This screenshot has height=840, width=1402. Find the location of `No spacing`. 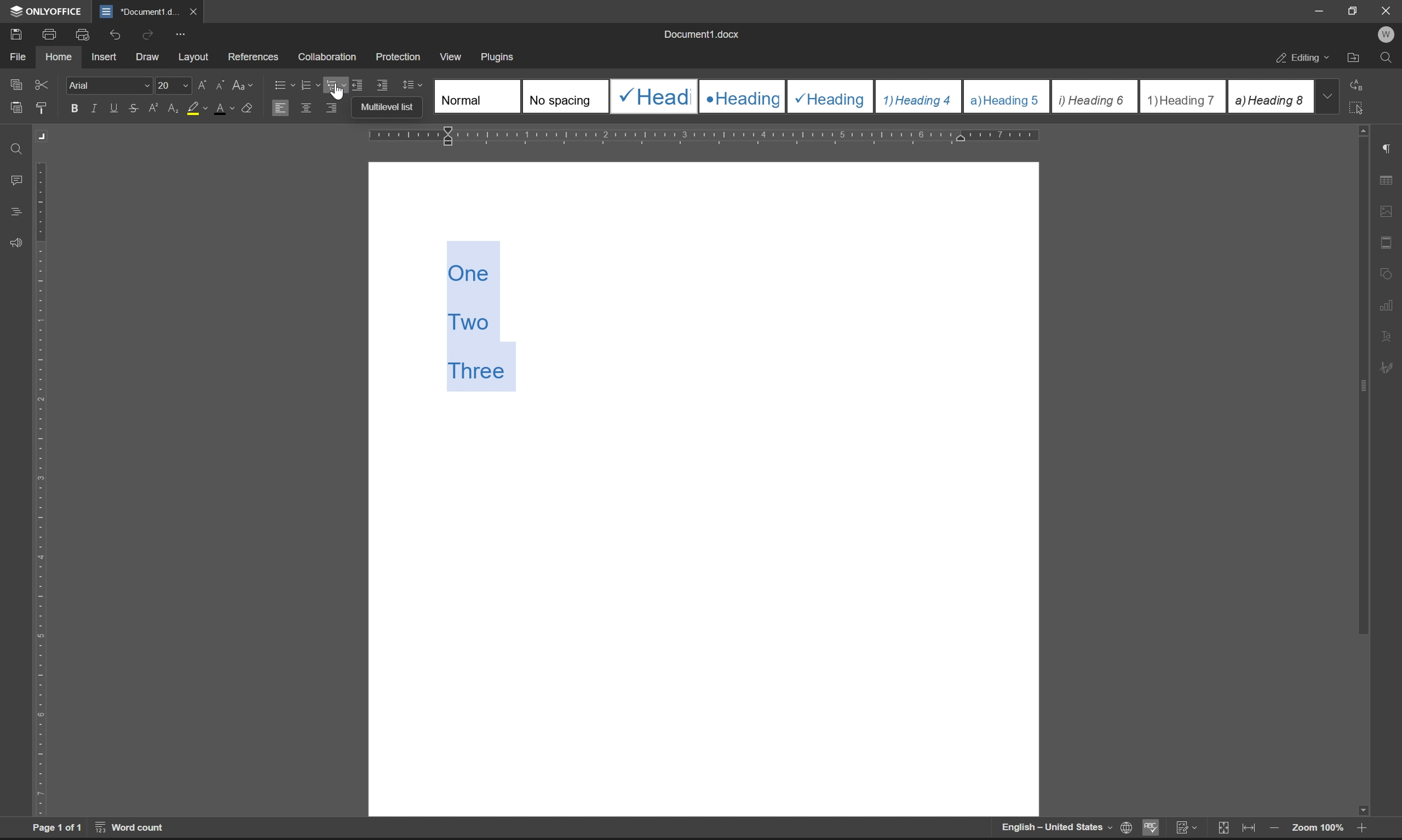

No spacing is located at coordinates (564, 96).